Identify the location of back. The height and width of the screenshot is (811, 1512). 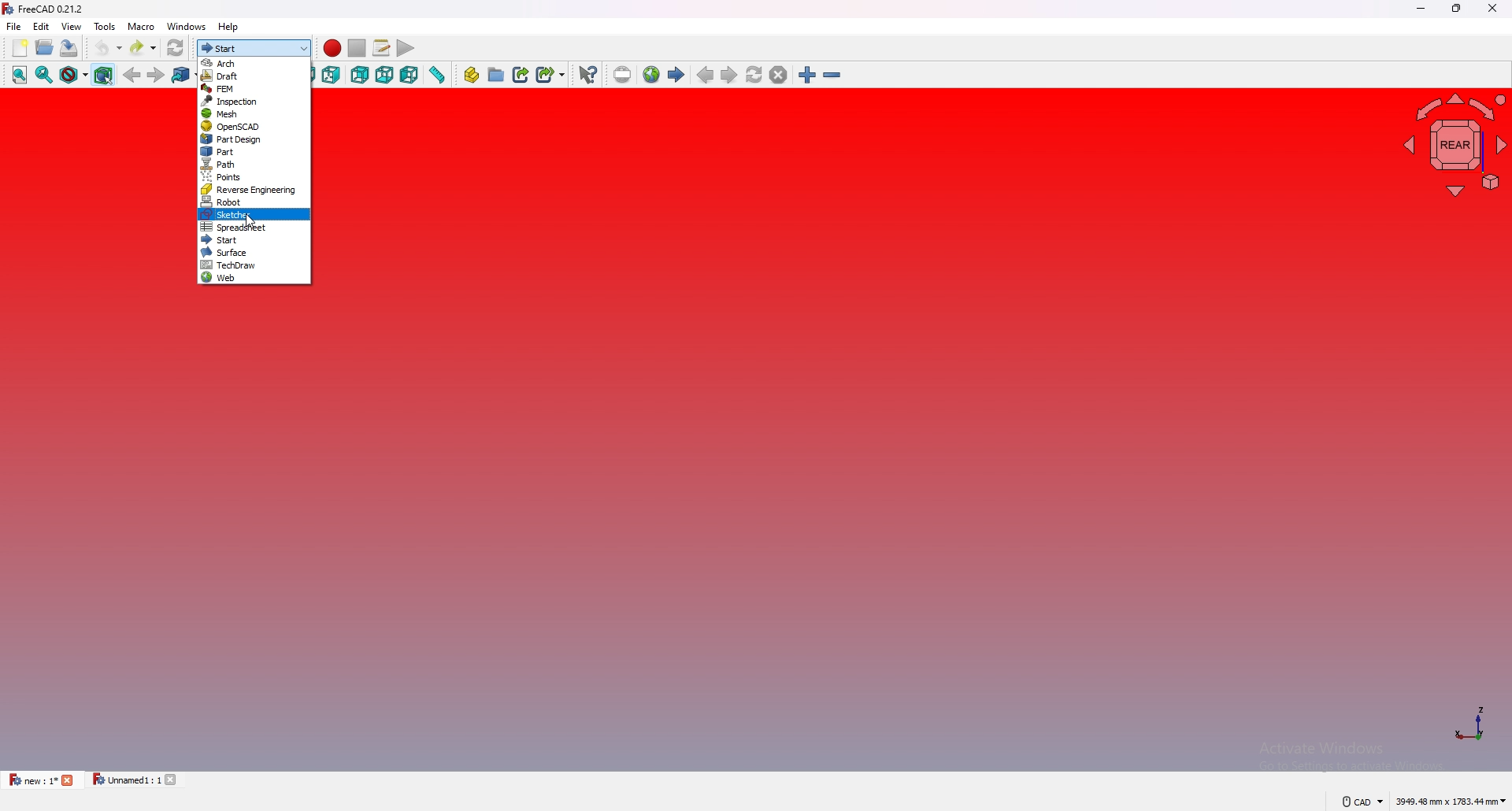
(360, 75).